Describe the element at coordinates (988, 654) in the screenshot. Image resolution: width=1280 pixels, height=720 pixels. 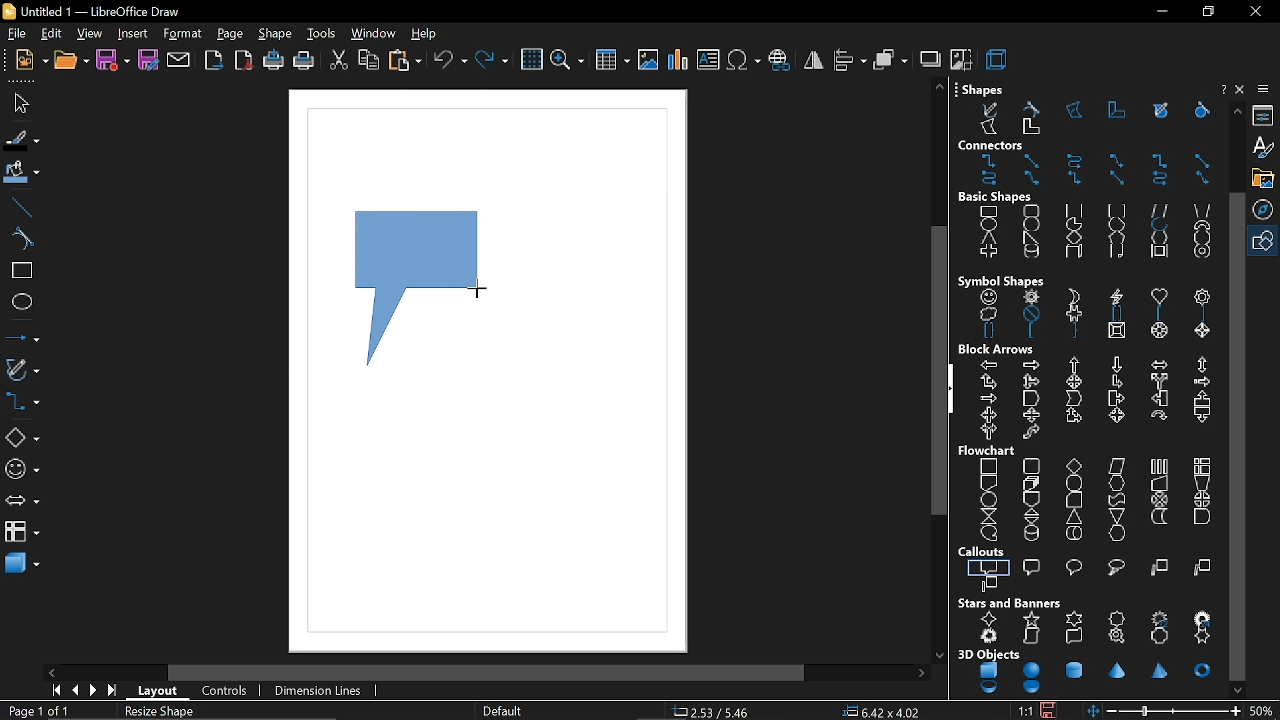
I see `3d objects` at that location.